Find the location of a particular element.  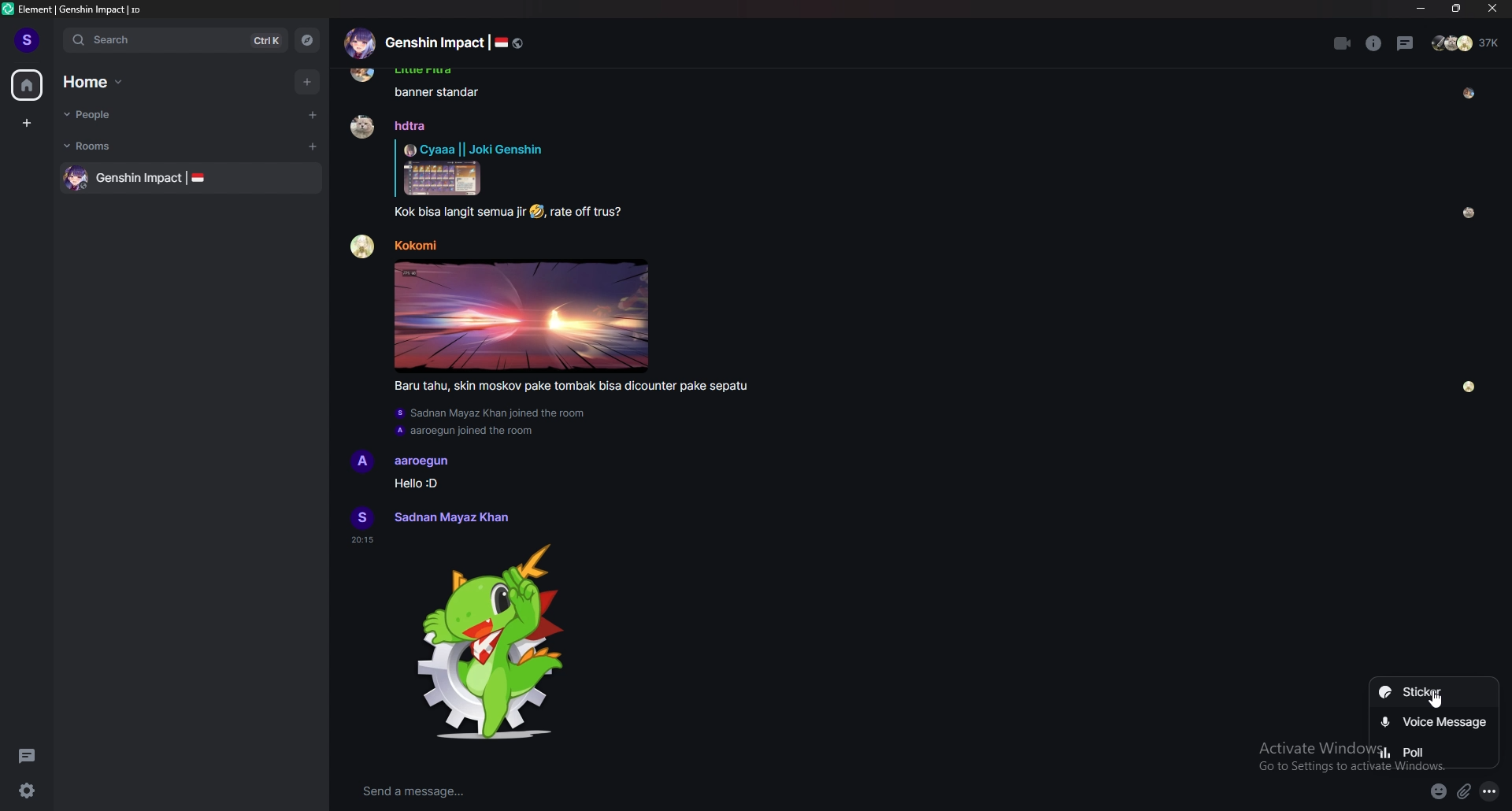

hdtra is located at coordinates (410, 125).